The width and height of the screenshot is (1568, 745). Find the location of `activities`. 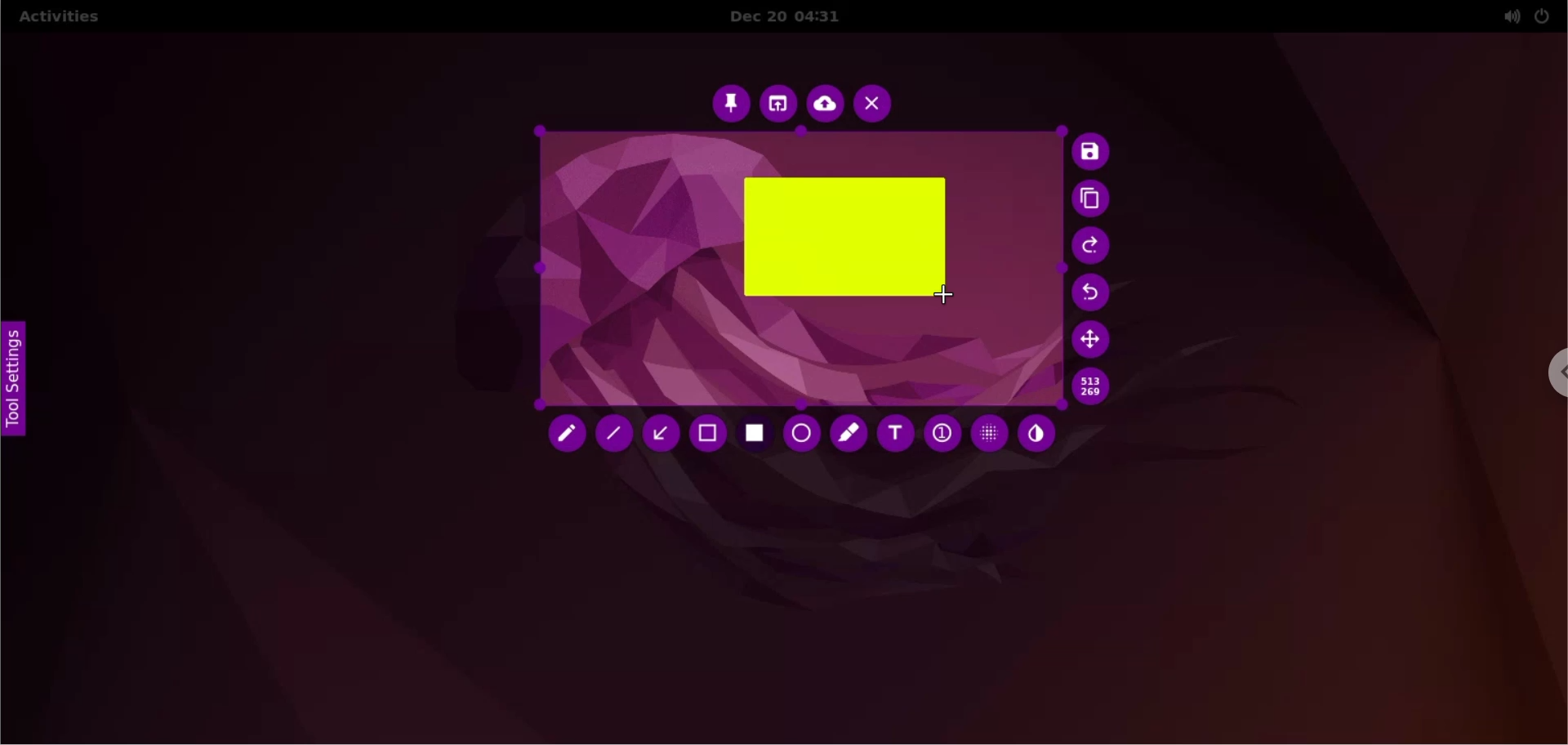

activities is located at coordinates (65, 16).